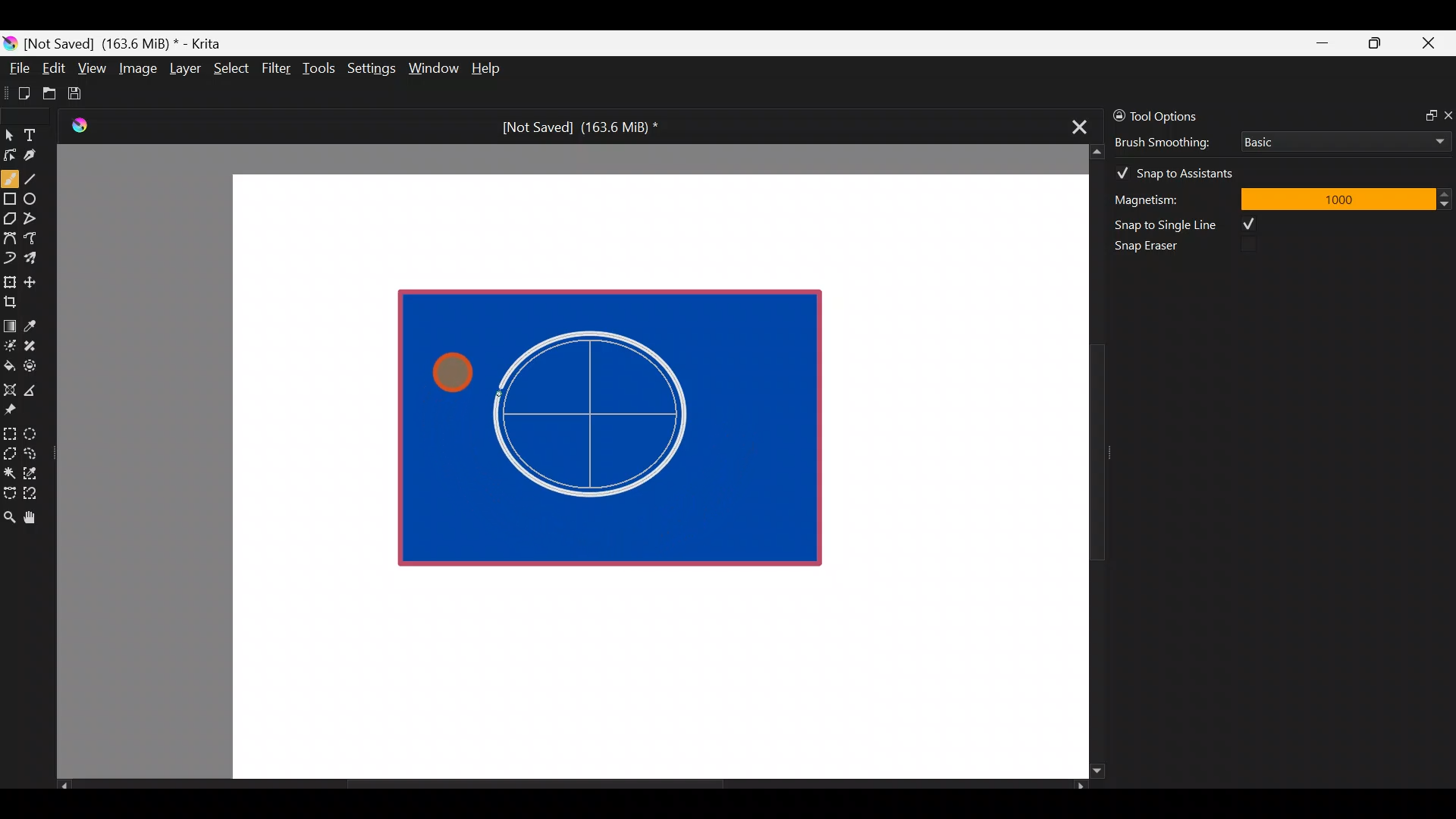  What do you see at coordinates (10, 200) in the screenshot?
I see `Rectangle tool` at bounding box center [10, 200].